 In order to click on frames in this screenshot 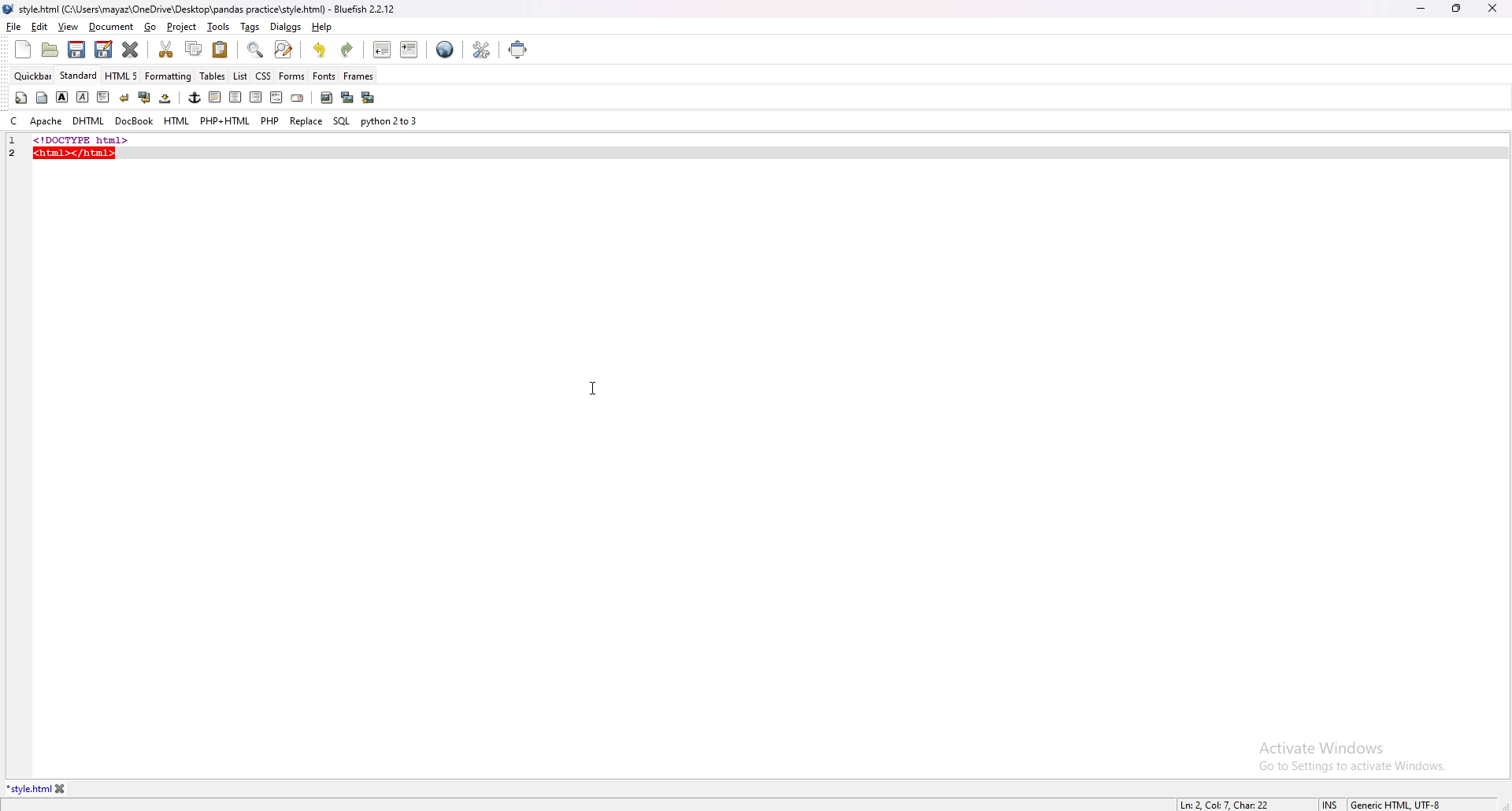, I will do `click(358, 76)`.